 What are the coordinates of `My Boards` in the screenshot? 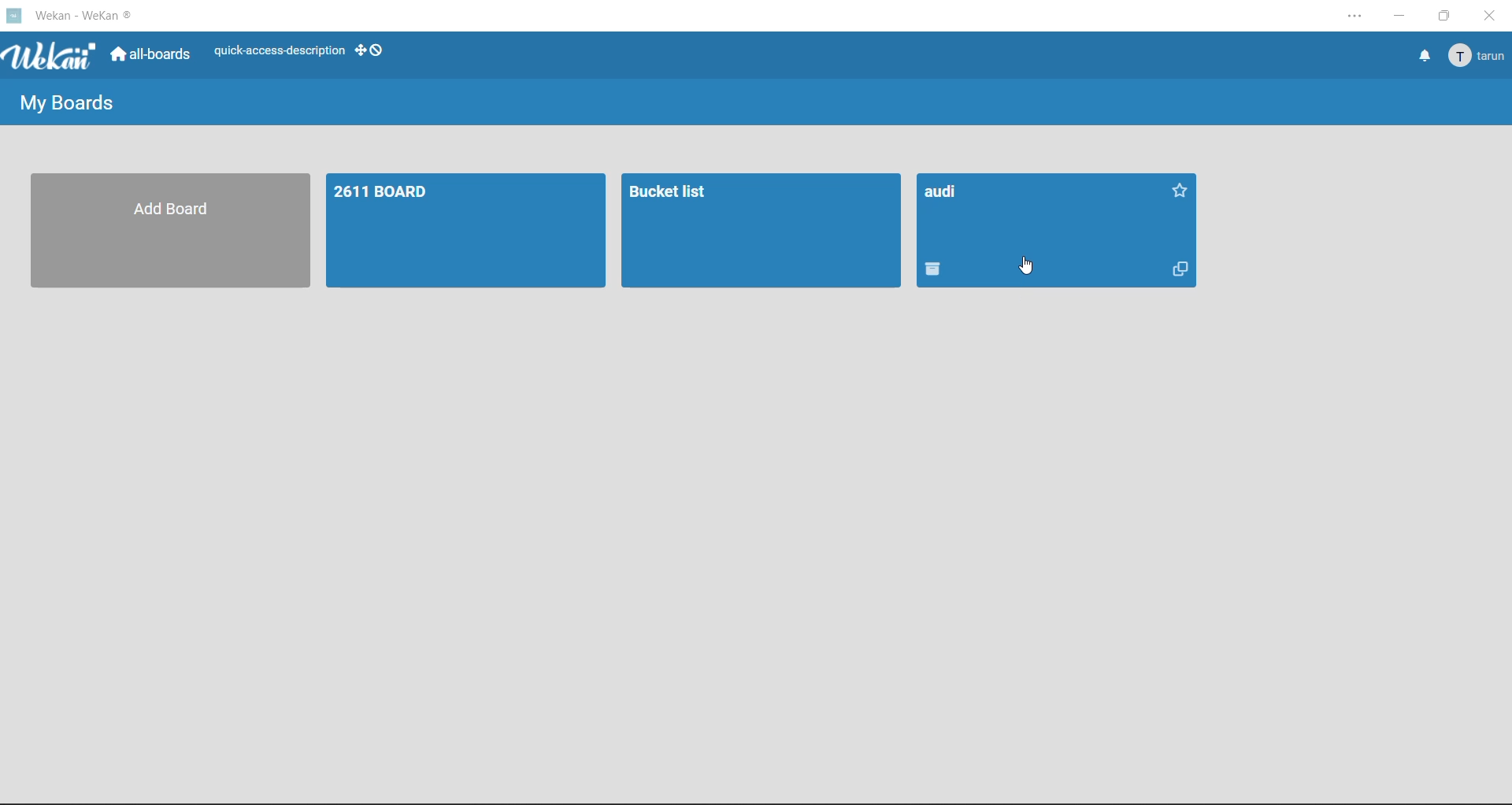 It's located at (69, 106).